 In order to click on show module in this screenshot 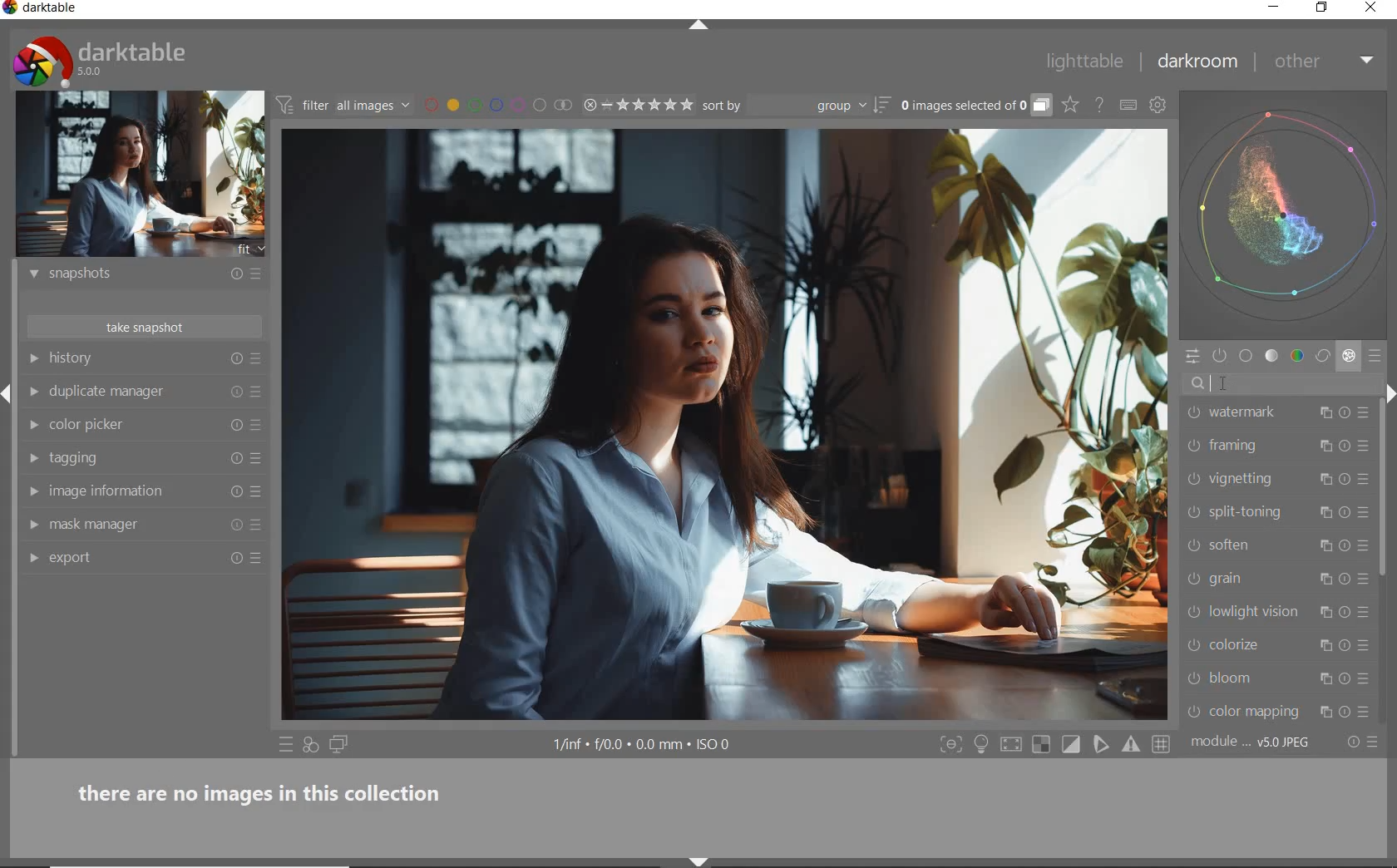, I will do `click(32, 525)`.